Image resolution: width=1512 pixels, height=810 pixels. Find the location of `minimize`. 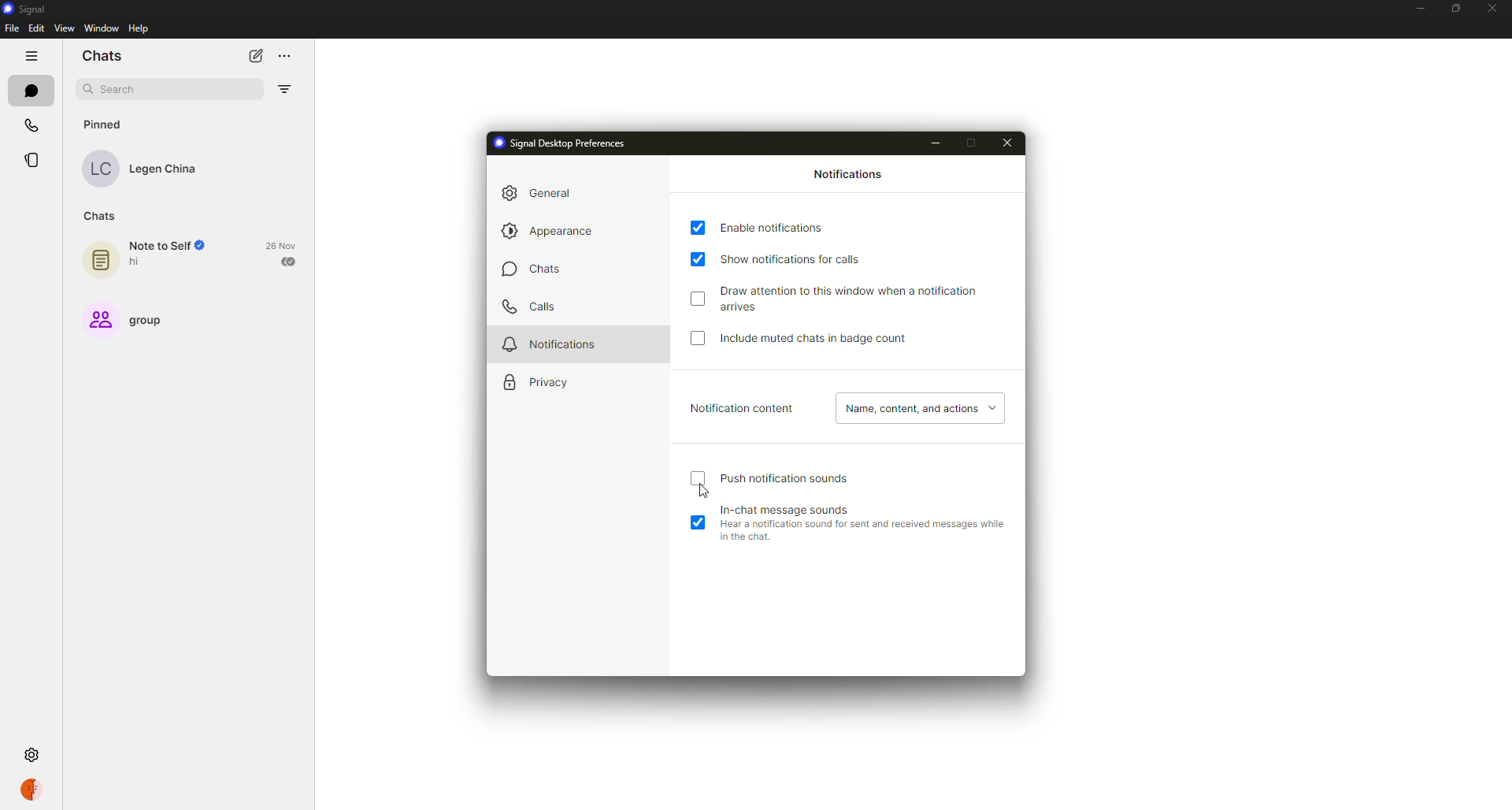

minimize is located at coordinates (1422, 8).